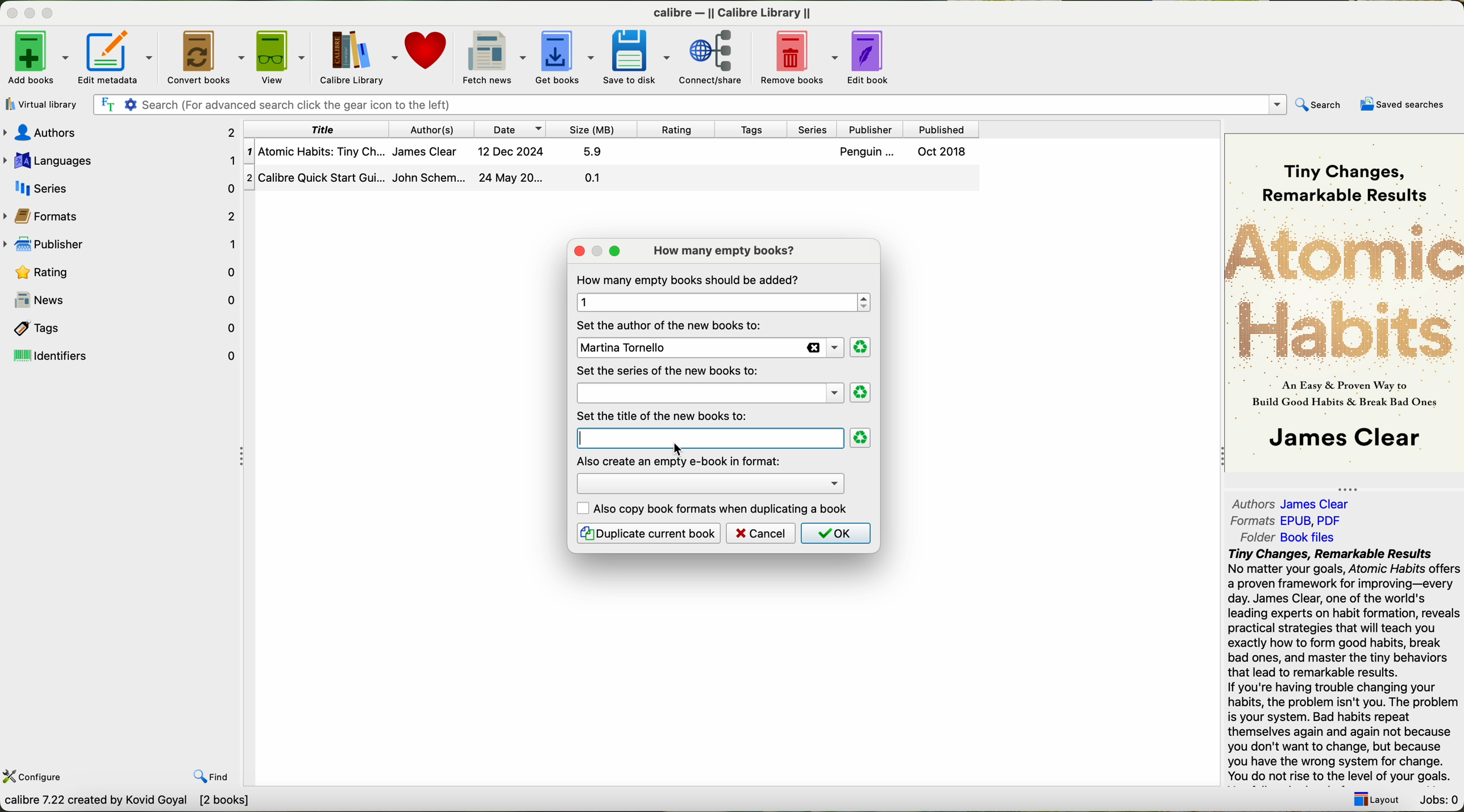  Describe the element at coordinates (680, 447) in the screenshot. I see `click` at that location.